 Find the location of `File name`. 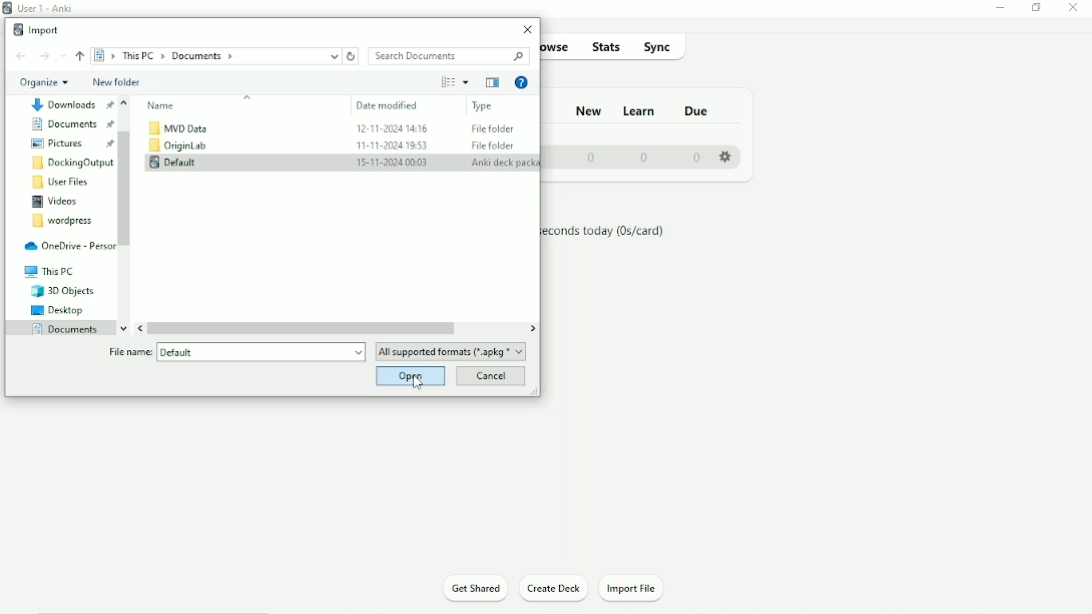

File name is located at coordinates (238, 352).